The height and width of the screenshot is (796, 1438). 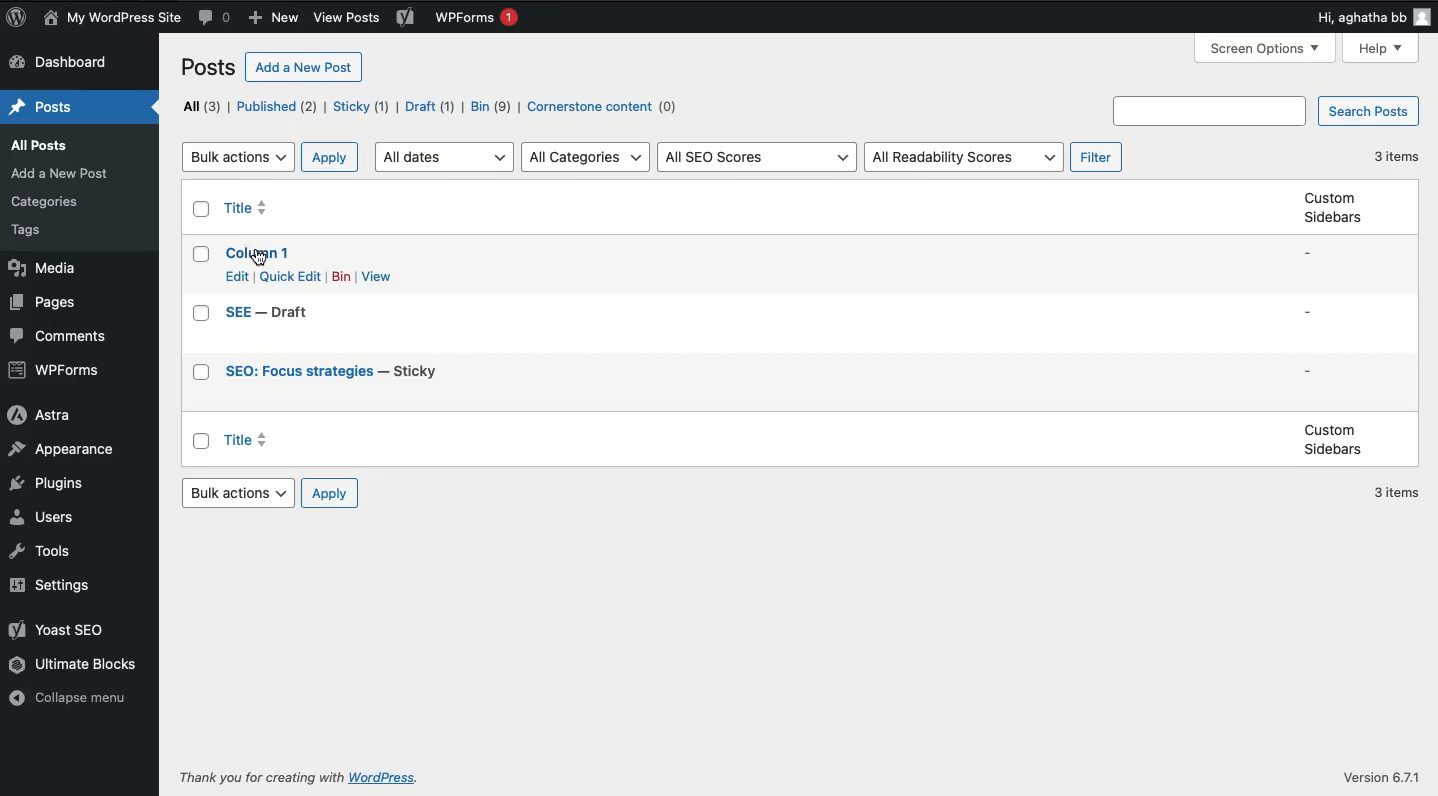 What do you see at coordinates (216, 18) in the screenshot?
I see `Comment` at bounding box center [216, 18].